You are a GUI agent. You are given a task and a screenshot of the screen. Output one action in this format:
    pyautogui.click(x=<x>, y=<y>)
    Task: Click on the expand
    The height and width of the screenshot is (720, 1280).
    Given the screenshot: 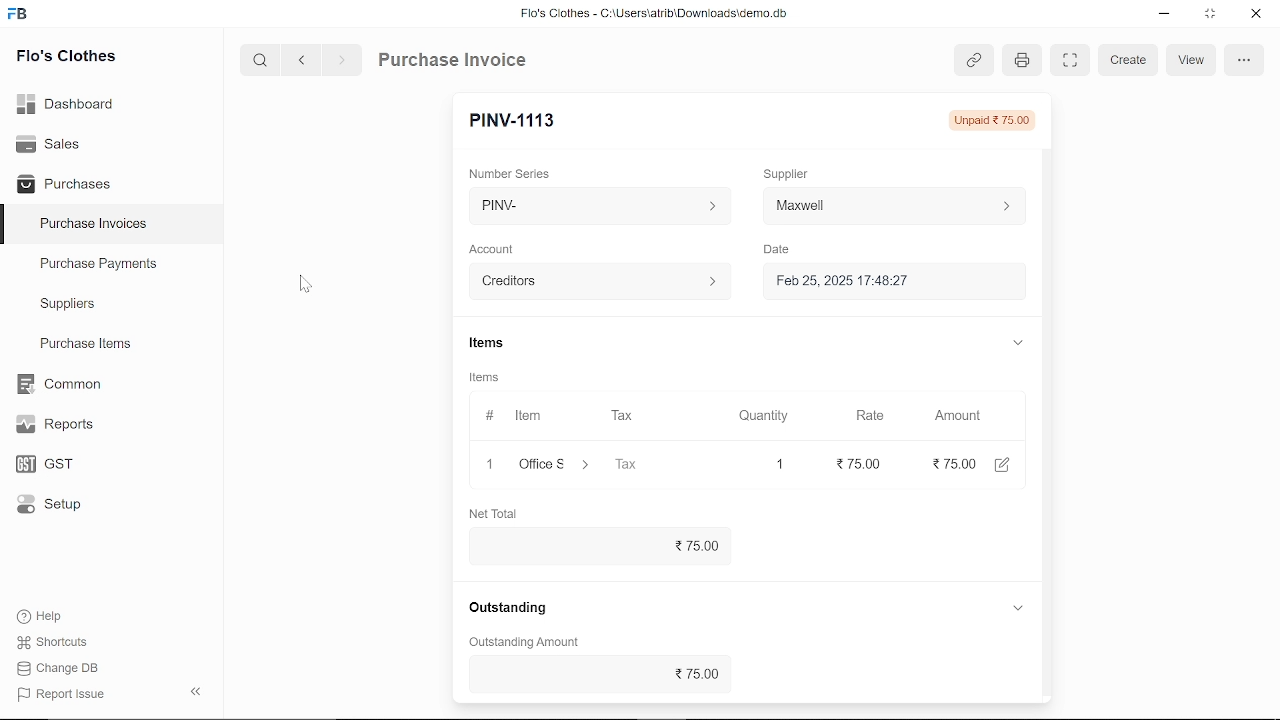 What is the action you would take?
    pyautogui.click(x=1019, y=608)
    